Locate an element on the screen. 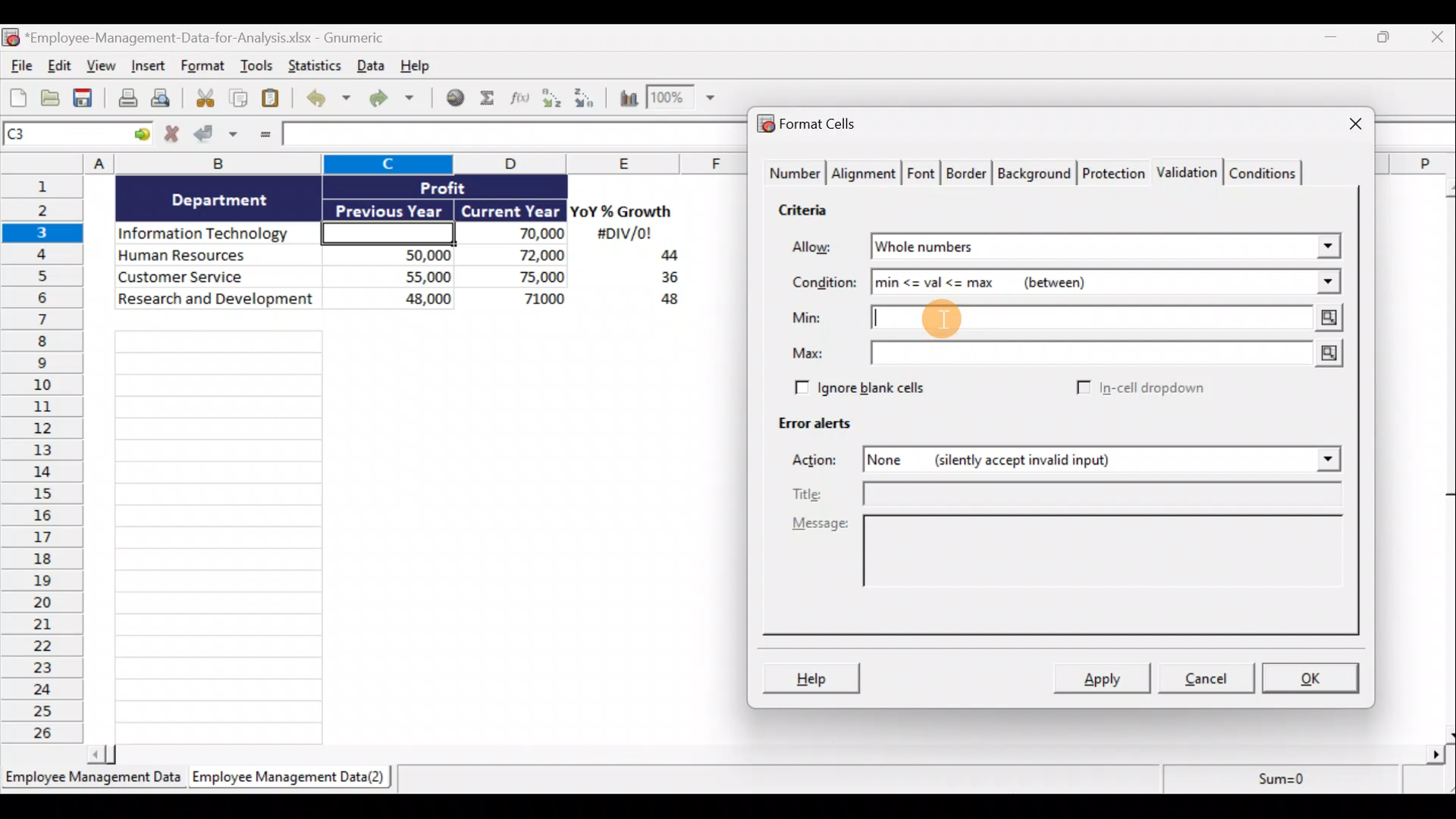  Min: is located at coordinates (813, 315).